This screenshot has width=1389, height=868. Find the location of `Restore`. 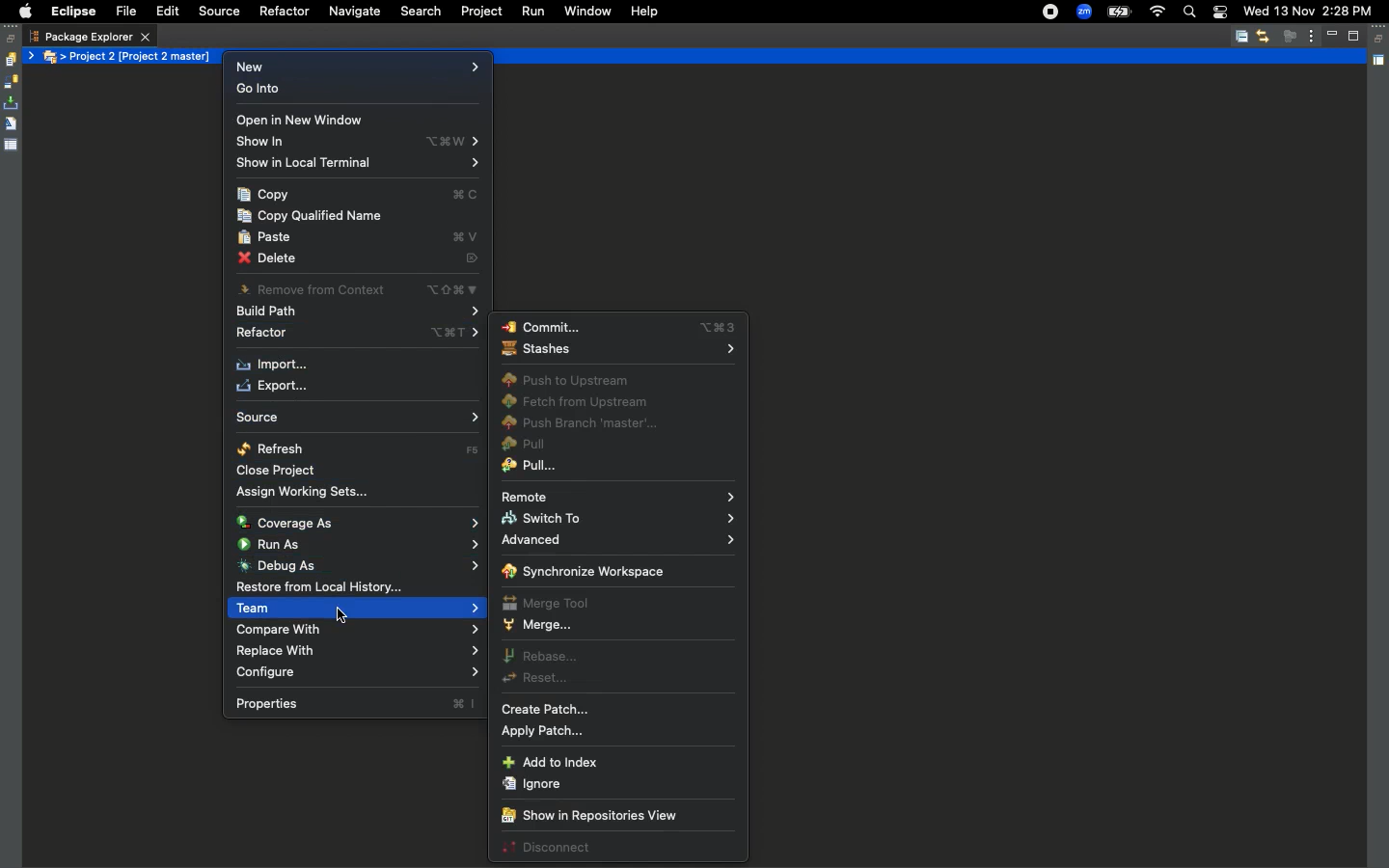

Restore is located at coordinates (12, 39).